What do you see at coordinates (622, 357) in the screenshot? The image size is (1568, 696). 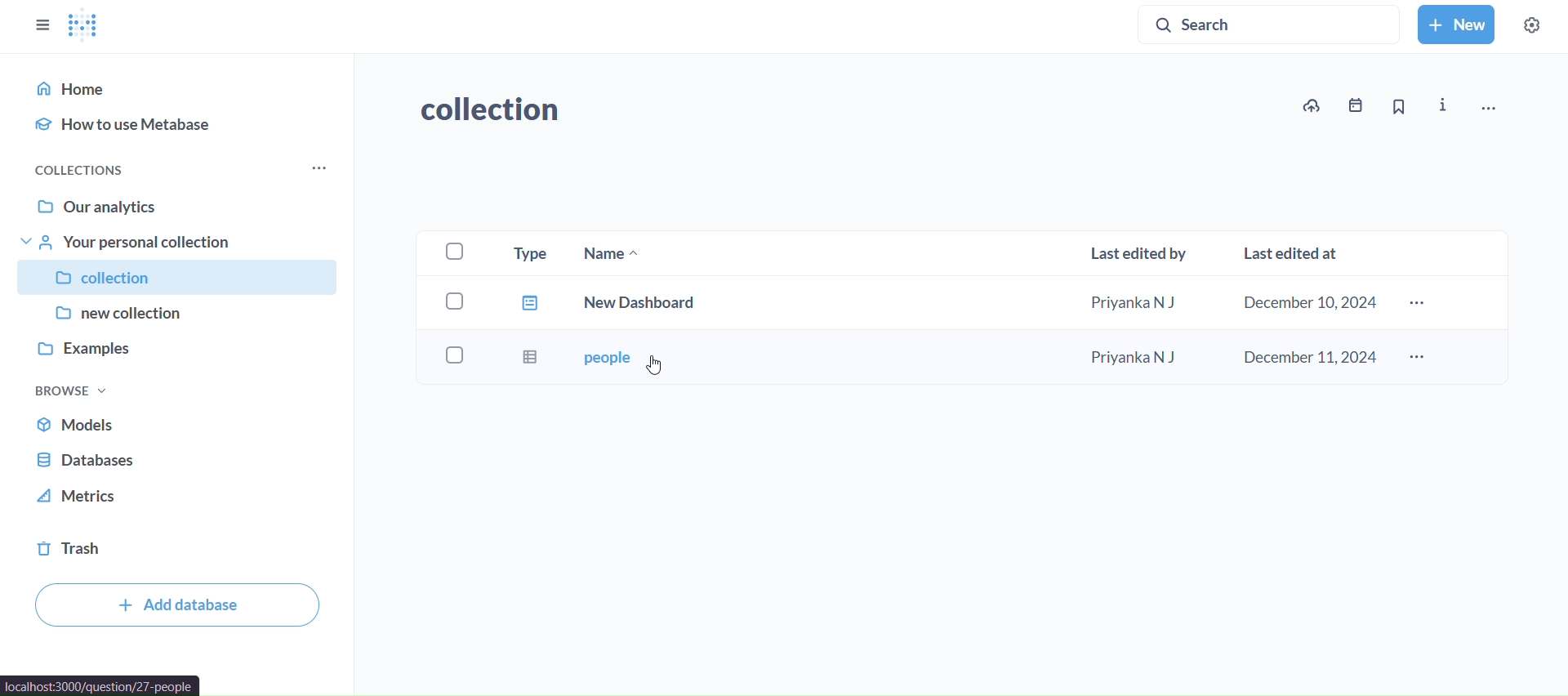 I see `people` at bounding box center [622, 357].